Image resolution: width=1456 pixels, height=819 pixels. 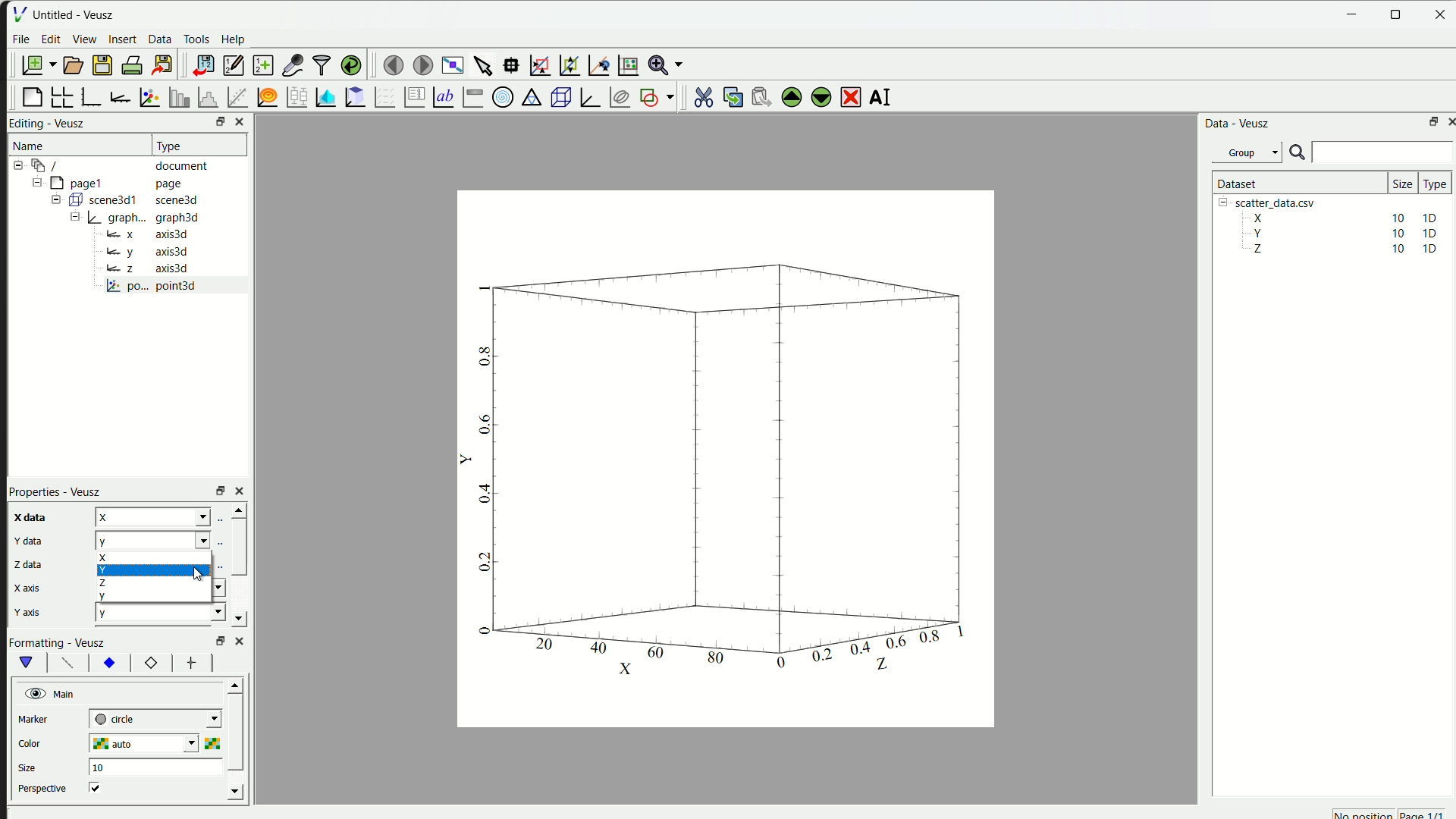 I want to click on x x, so click(x=168, y=565).